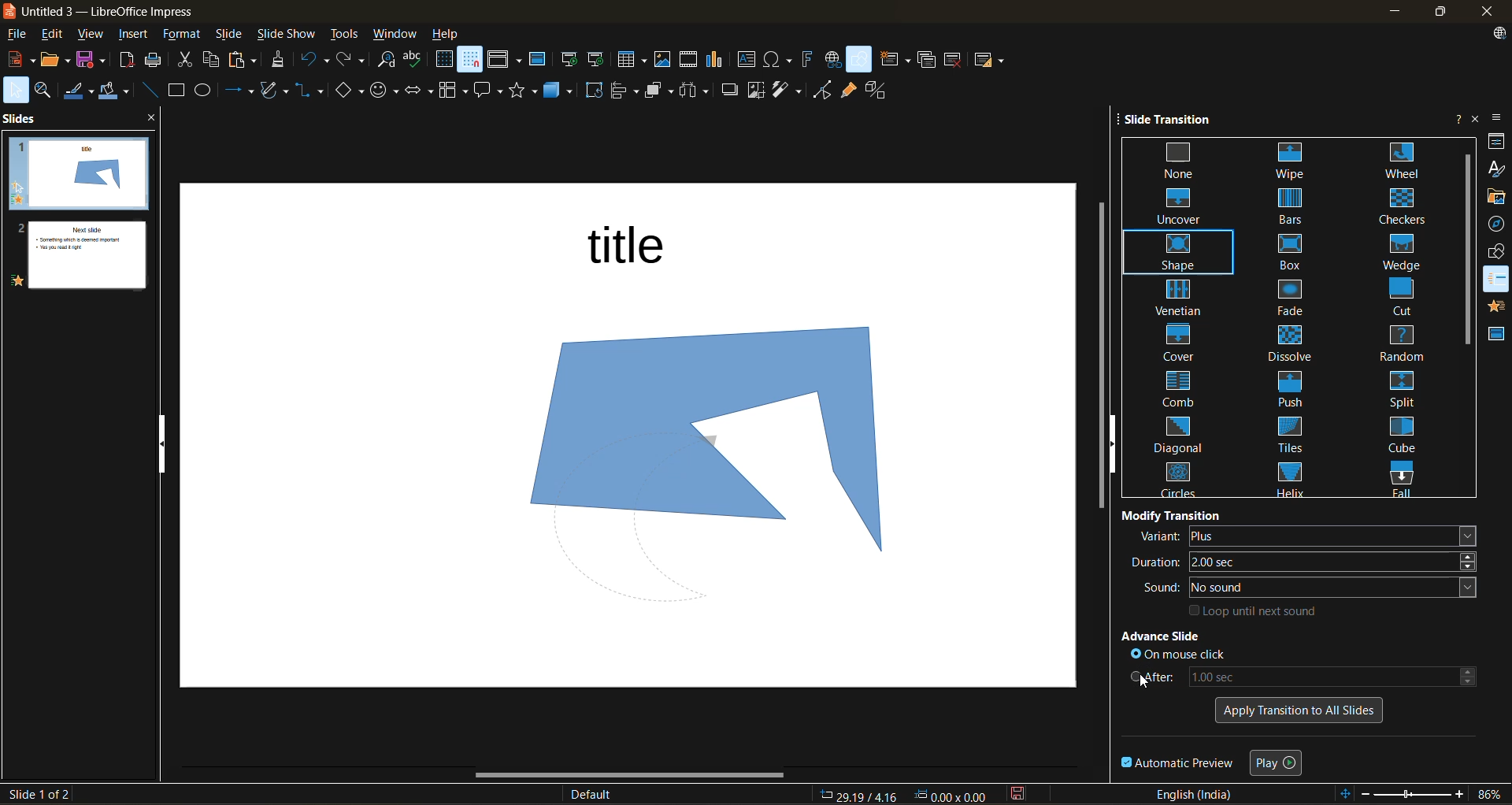  I want to click on symbol shapes, so click(386, 89).